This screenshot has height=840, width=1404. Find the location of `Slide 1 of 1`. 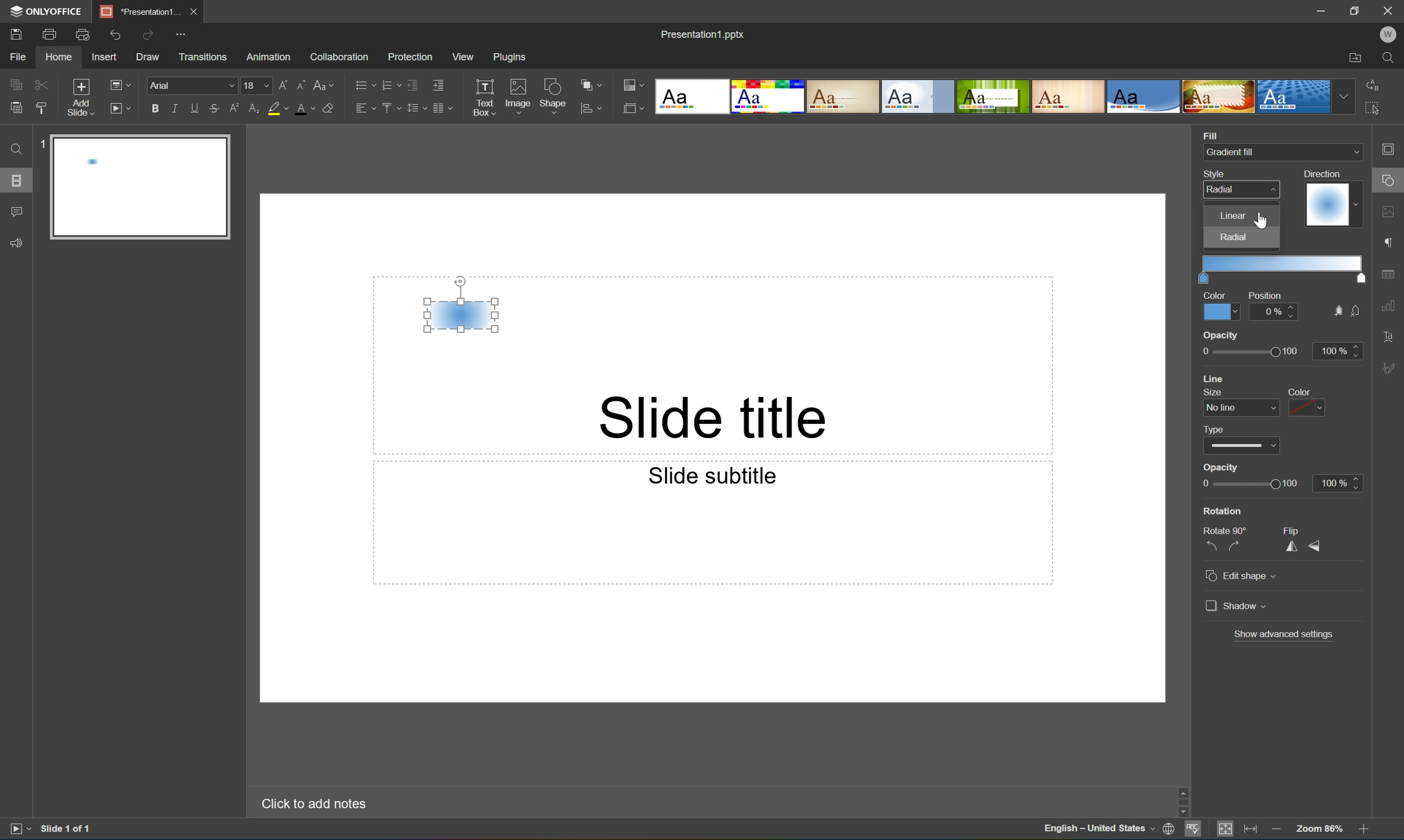

Slide 1 of 1 is located at coordinates (67, 828).